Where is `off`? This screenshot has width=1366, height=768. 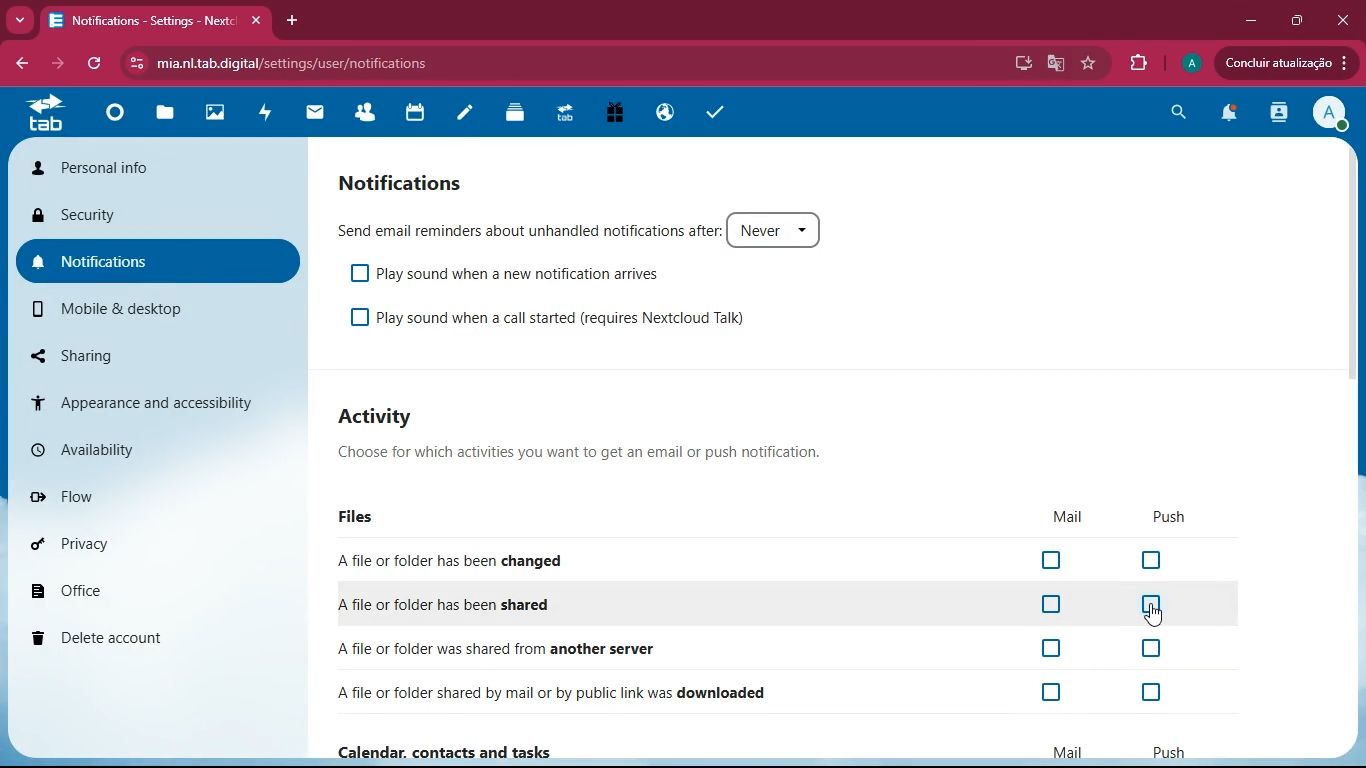 off is located at coordinates (1048, 605).